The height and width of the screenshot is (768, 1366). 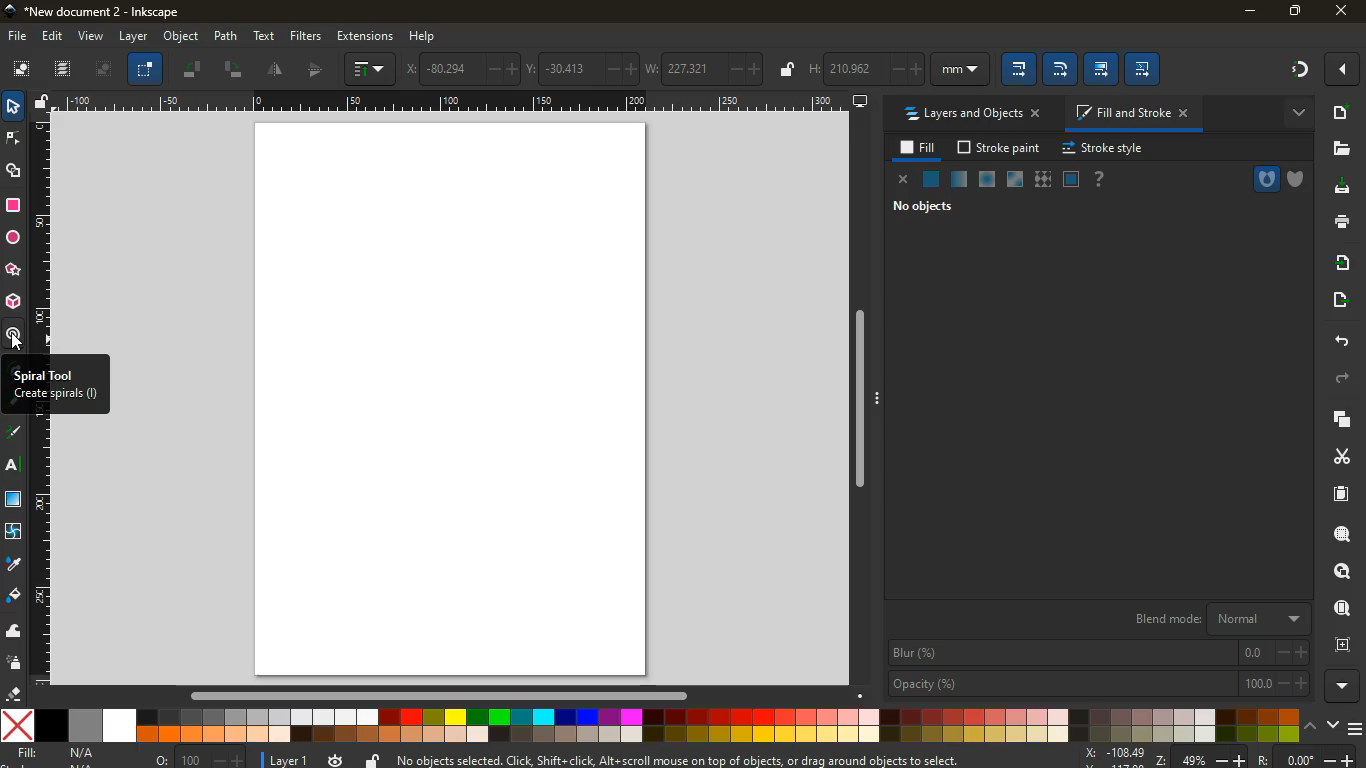 I want to click on add, so click(x=1341, y=115).